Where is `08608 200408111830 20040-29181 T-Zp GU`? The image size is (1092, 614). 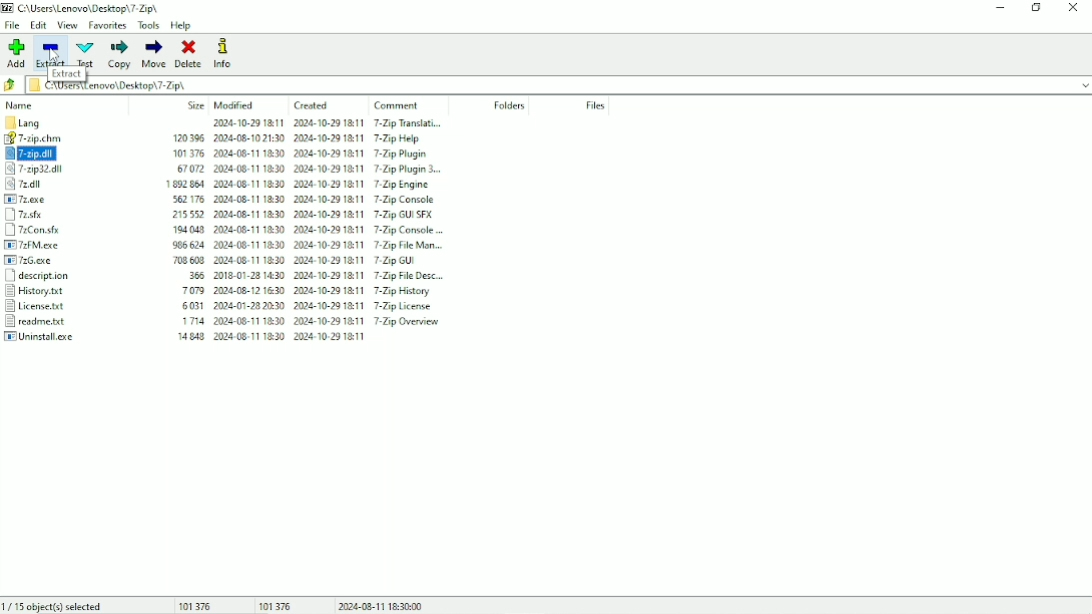
08608 200408111830 20040-29181 T-Zp GU is located at coordinates (308, 260).